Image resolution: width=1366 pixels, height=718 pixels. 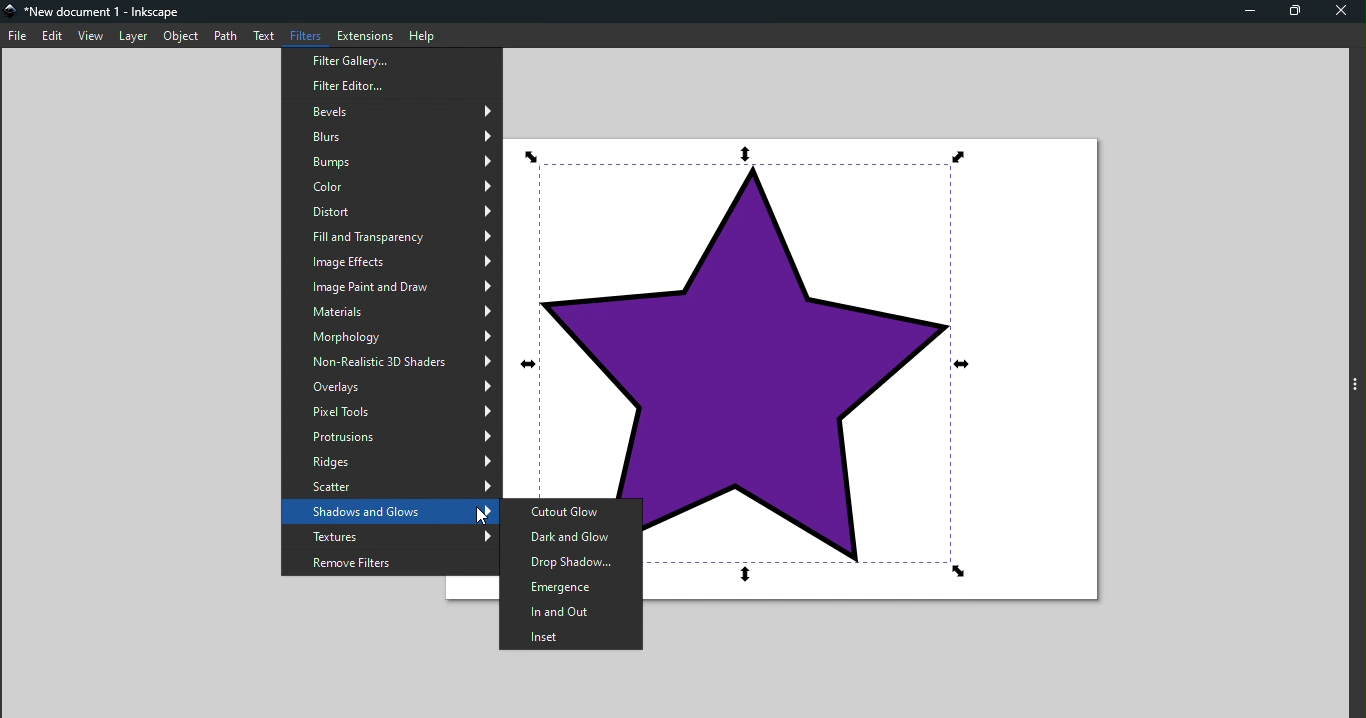 What do you see at coordinates (391, 60) in the screenshot?
I see `Filter Gallery` at bounding box center [391, 60].